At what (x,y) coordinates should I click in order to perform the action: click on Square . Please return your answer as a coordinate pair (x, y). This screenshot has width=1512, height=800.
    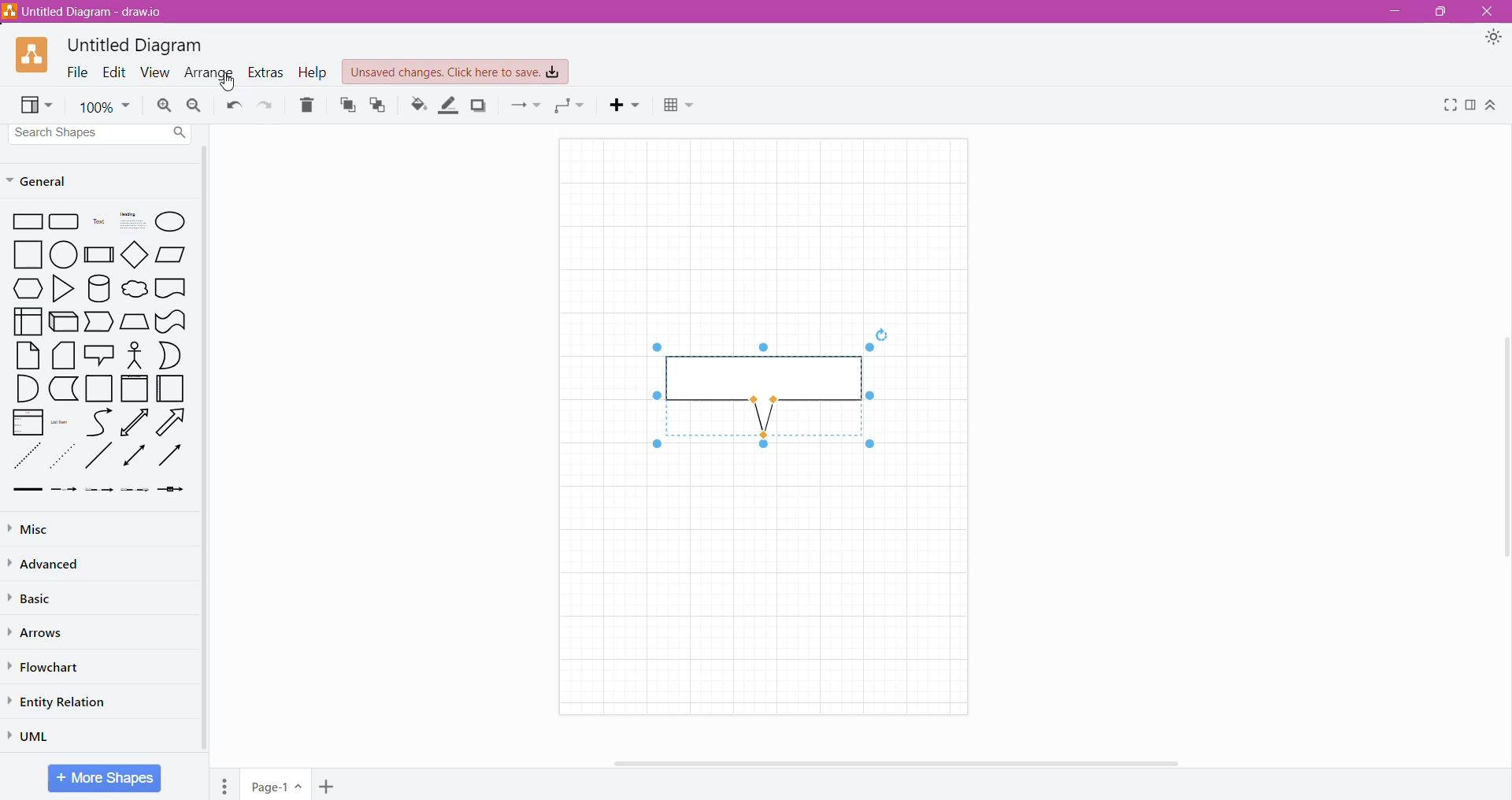
    Looking at the image, I should click on (99, 389).